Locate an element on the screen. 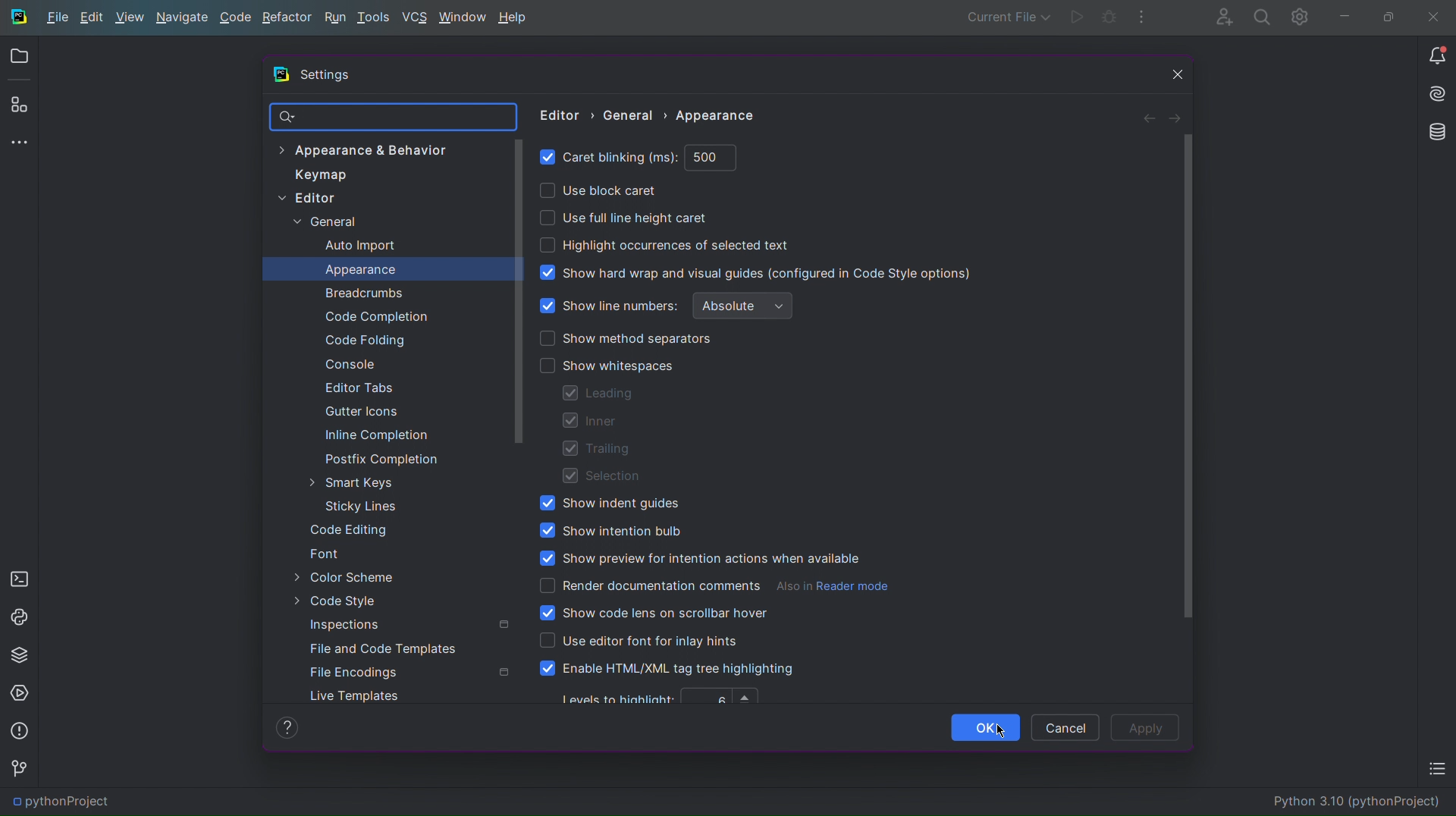 This screenshot has height=816, width=1456. Levels to highlight is located at coordinates (663, 698).